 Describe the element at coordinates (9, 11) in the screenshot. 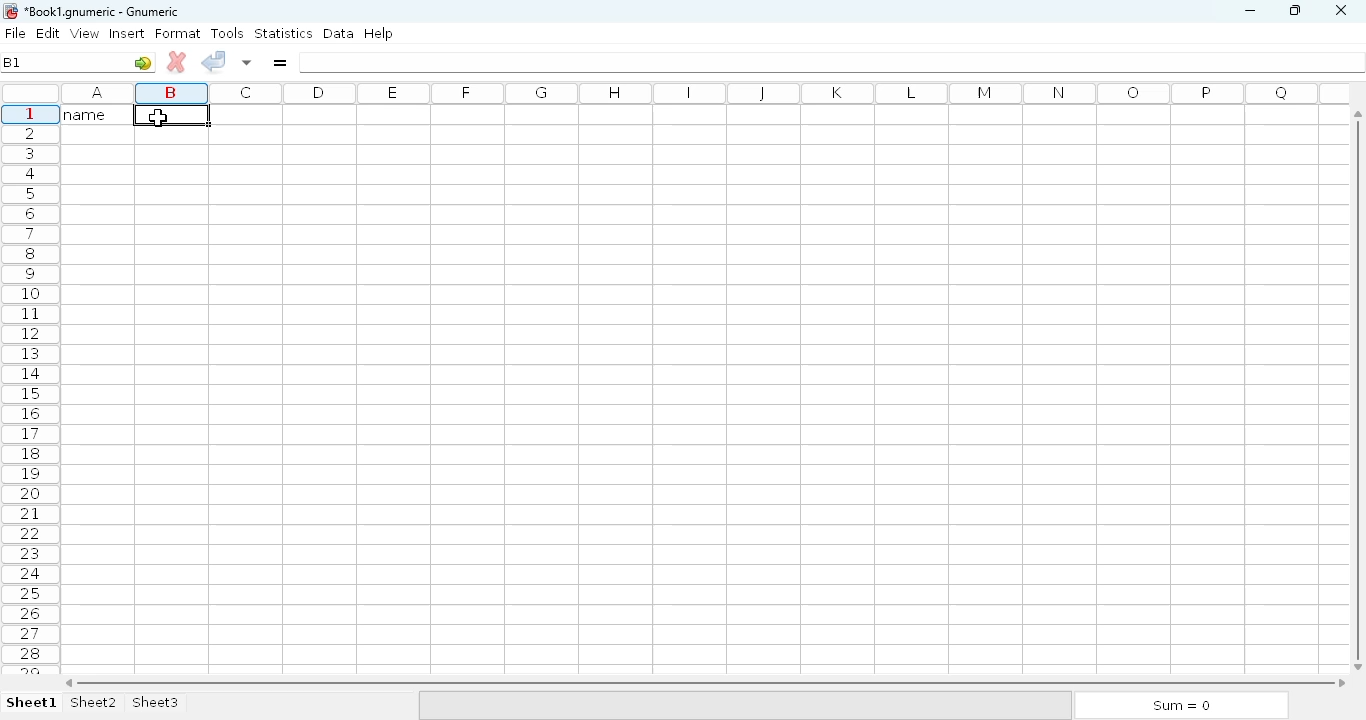

I see `logo` at that location.